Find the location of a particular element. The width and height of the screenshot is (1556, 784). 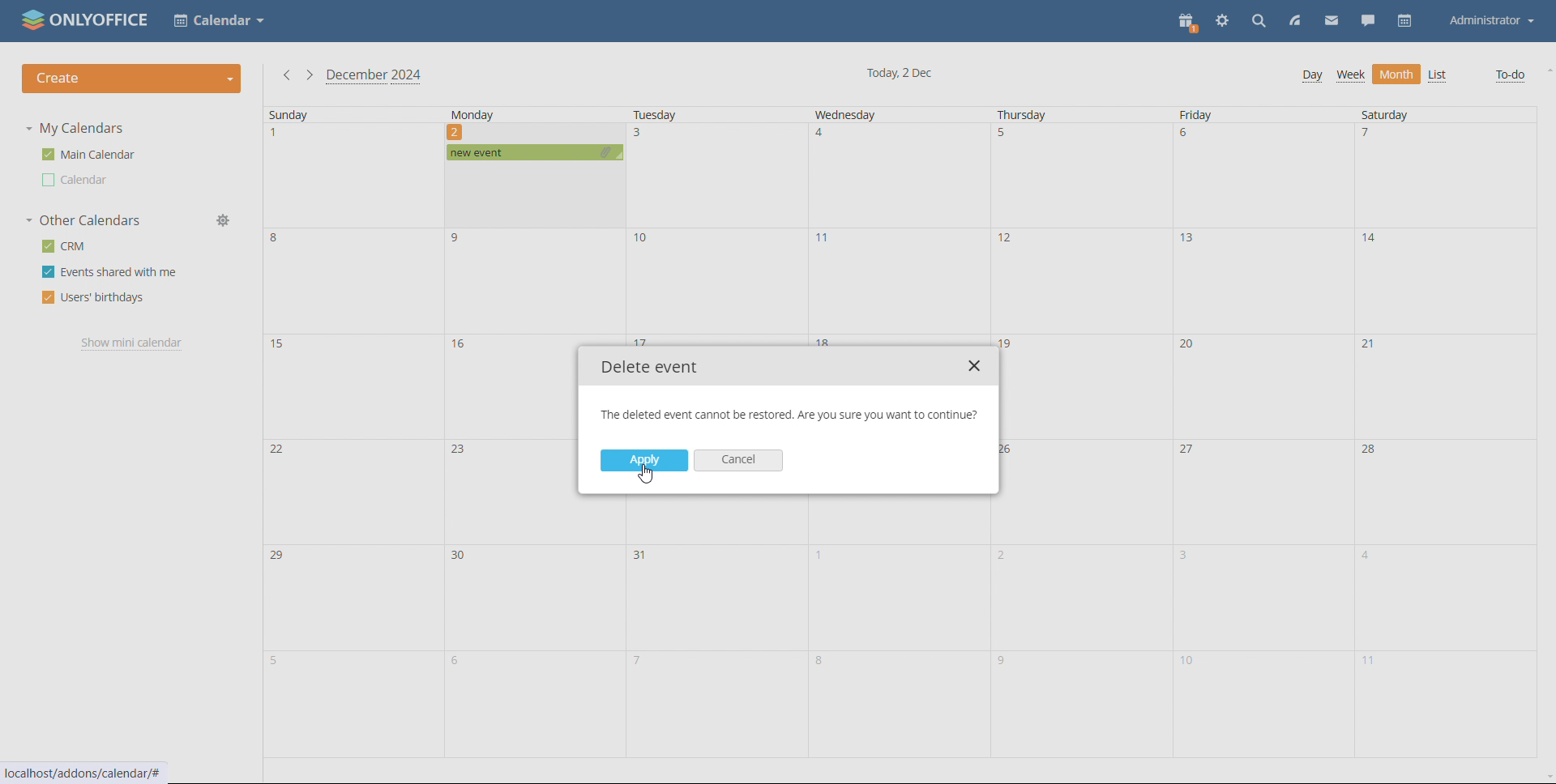

12 is located at coordinates (1007, 245).